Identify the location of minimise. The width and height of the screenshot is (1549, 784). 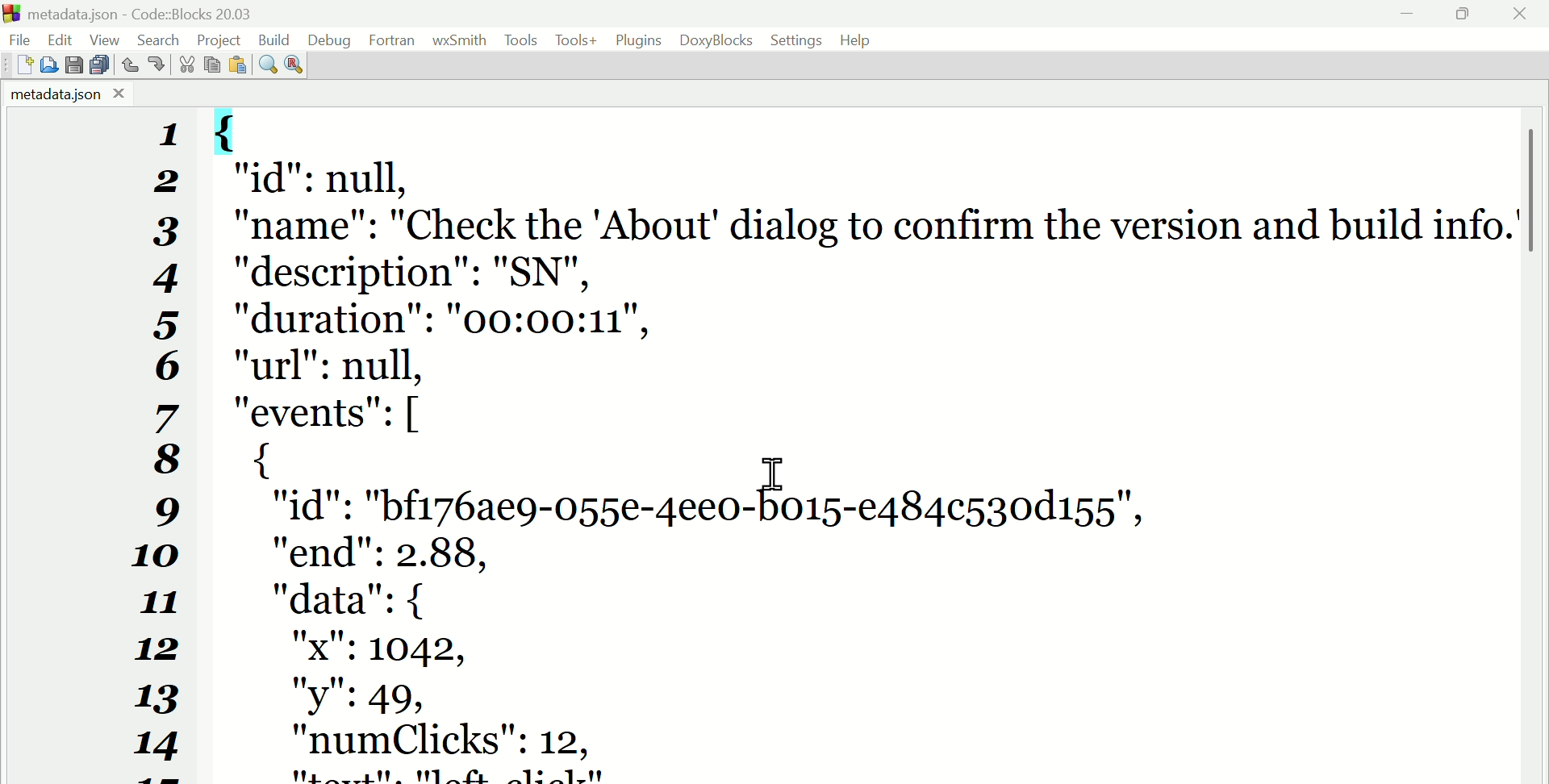
(1409, 15).